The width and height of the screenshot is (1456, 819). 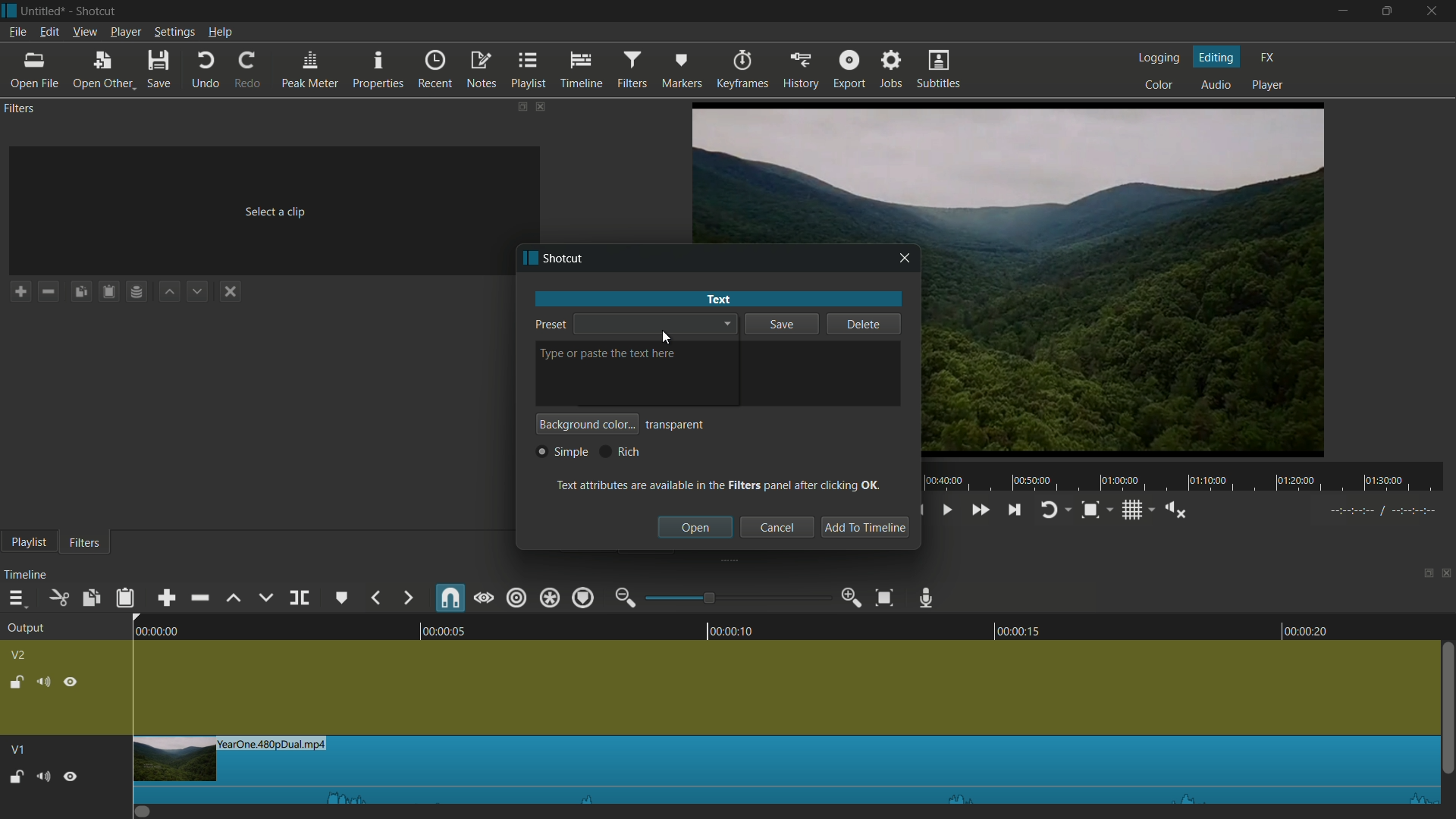 I want to click on output, so click(x=24, y=629).